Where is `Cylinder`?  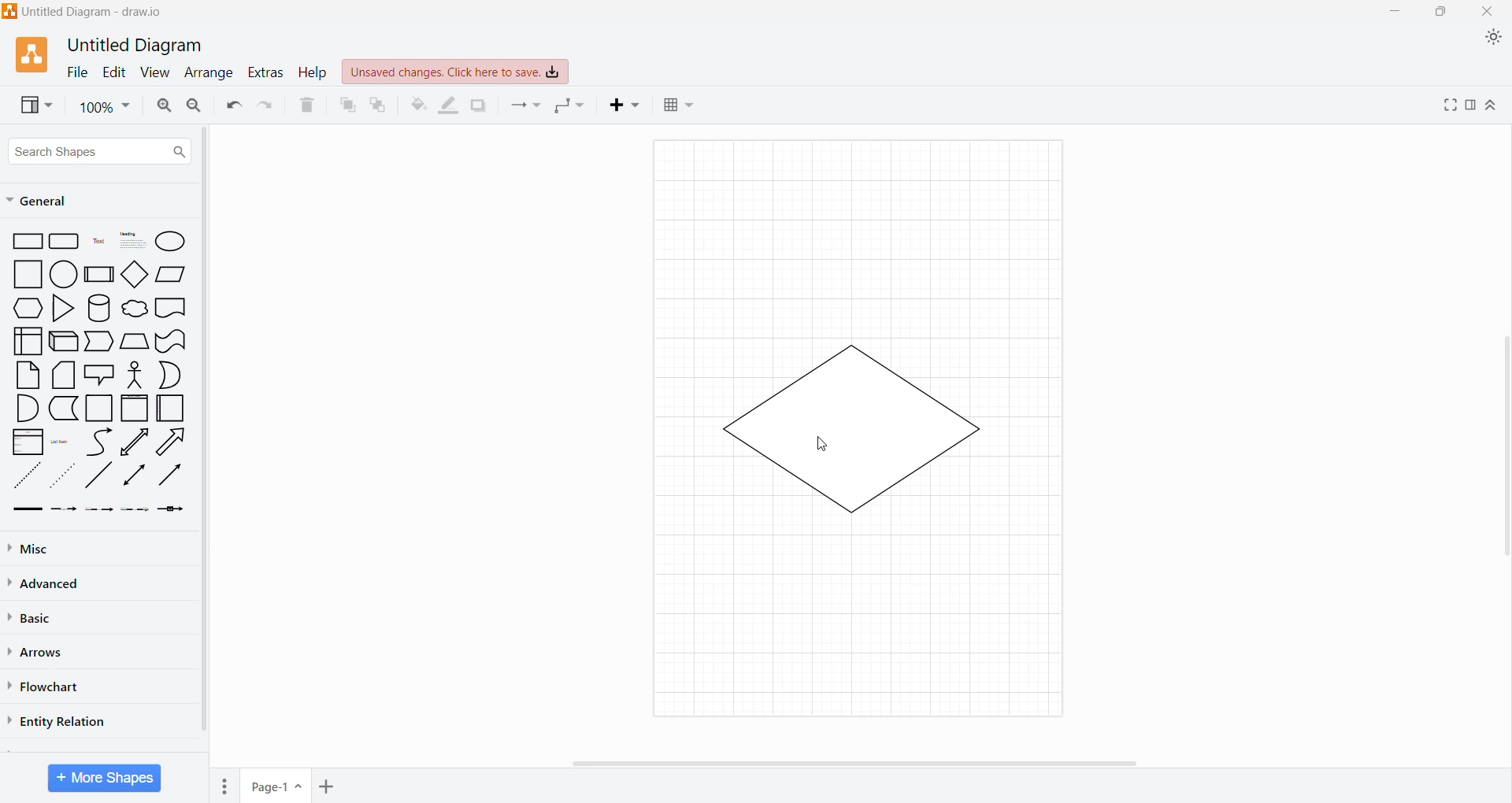
Cylinder is located at coordinates (99, 309).